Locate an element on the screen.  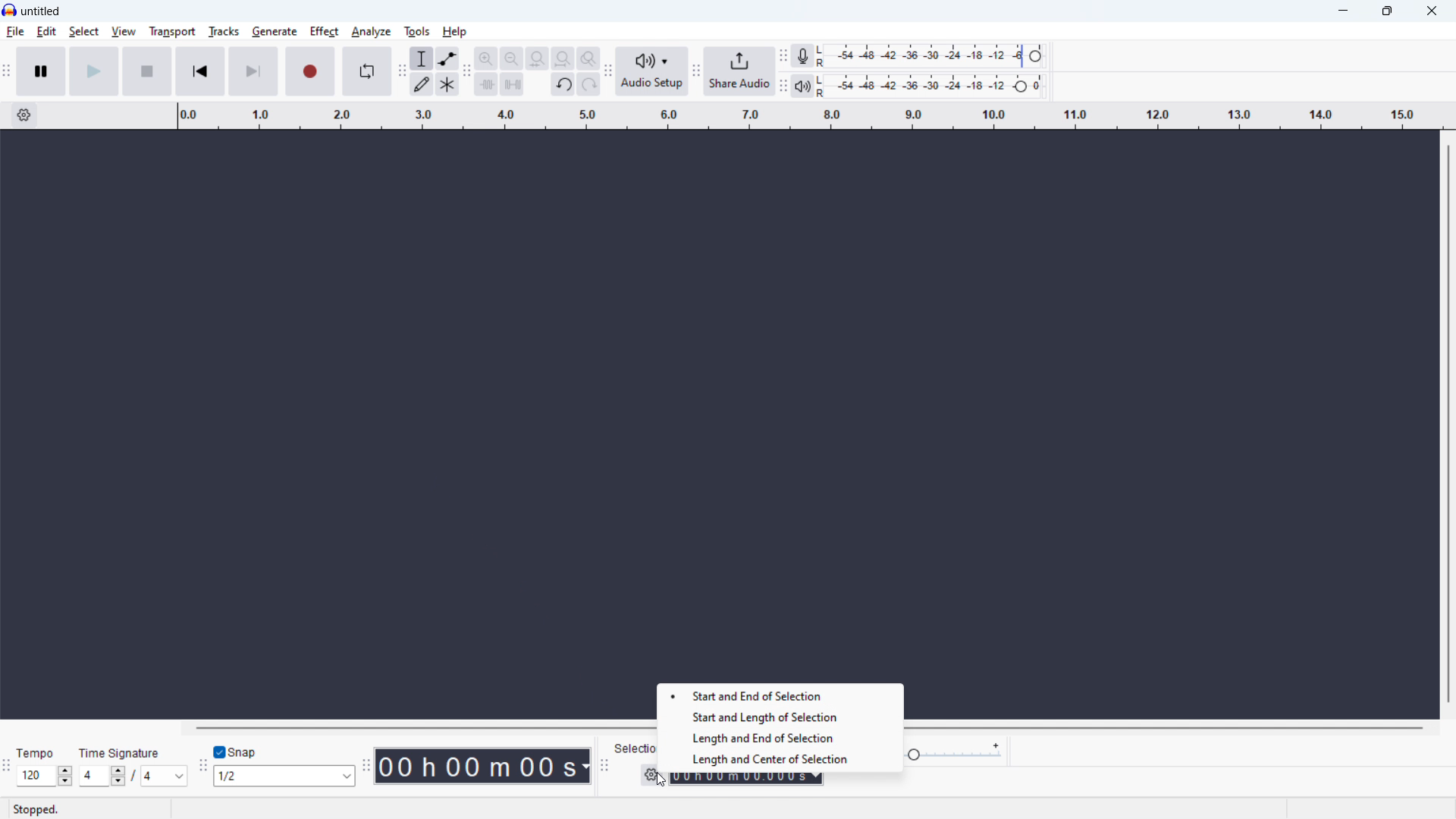
maximize is located at coordinates (1386, 11).